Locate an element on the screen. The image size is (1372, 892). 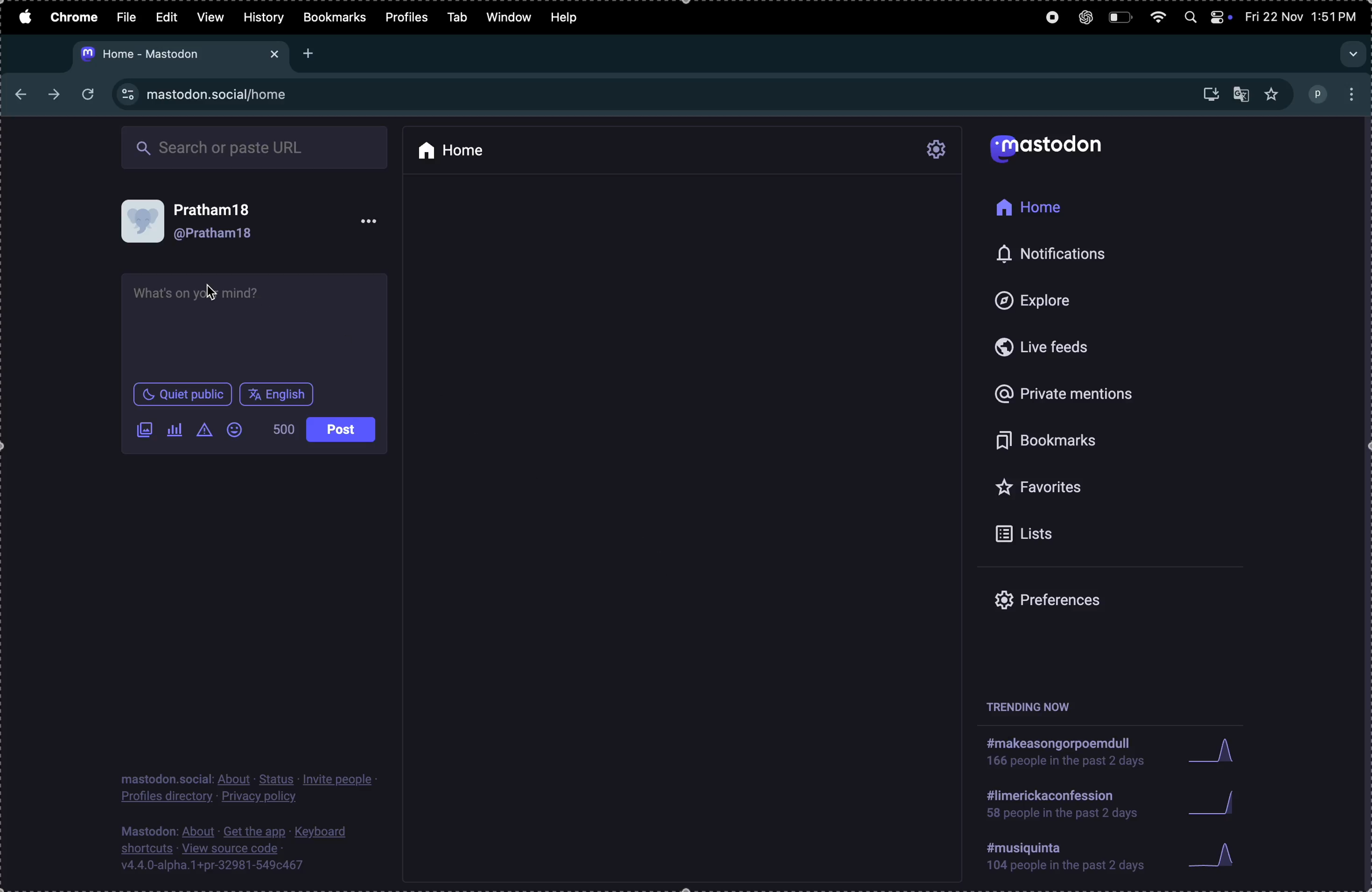
poll is located at coordinates (171, 430).